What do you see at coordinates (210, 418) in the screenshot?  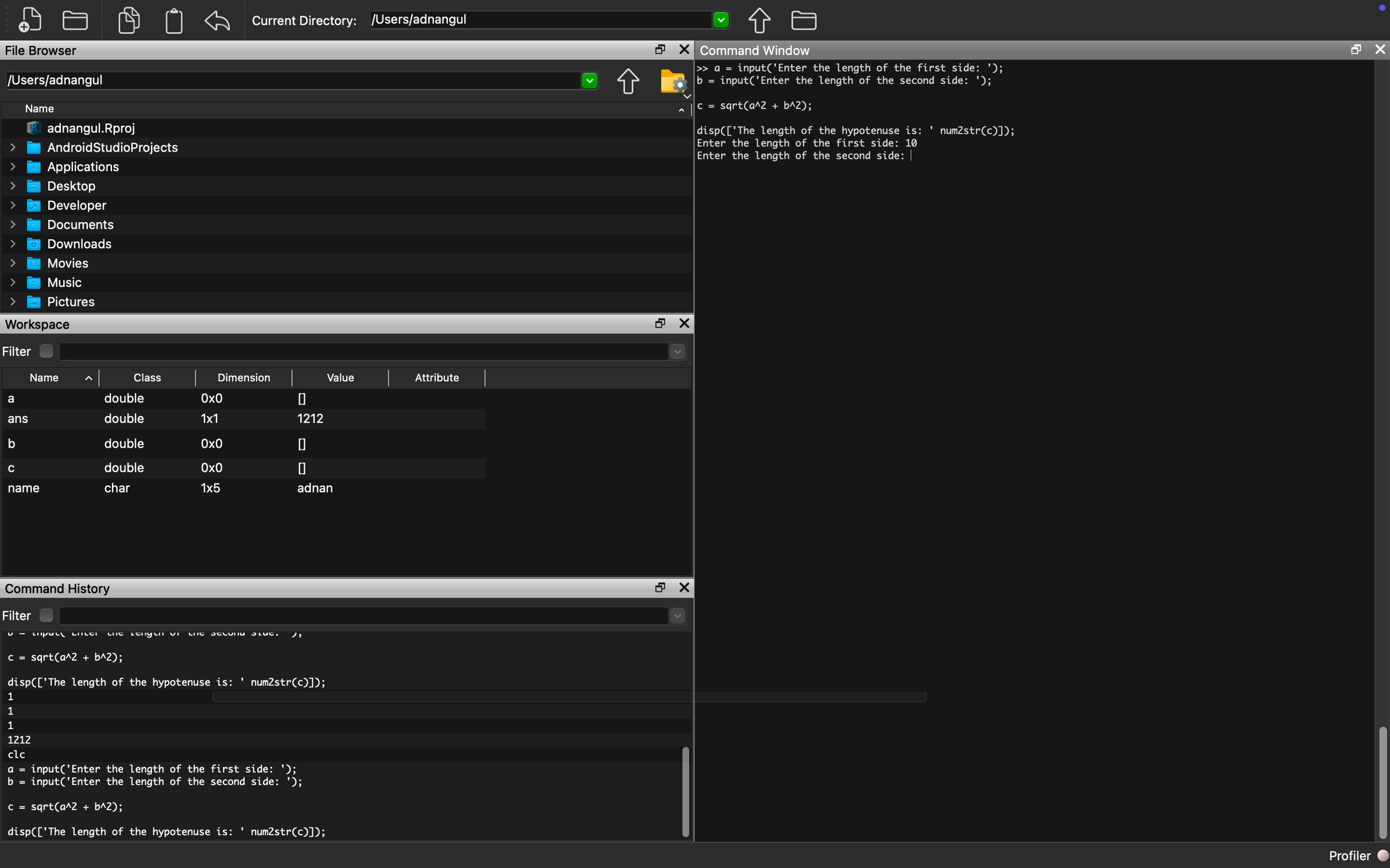 I see `1x1` at bounding box center [210, 418].